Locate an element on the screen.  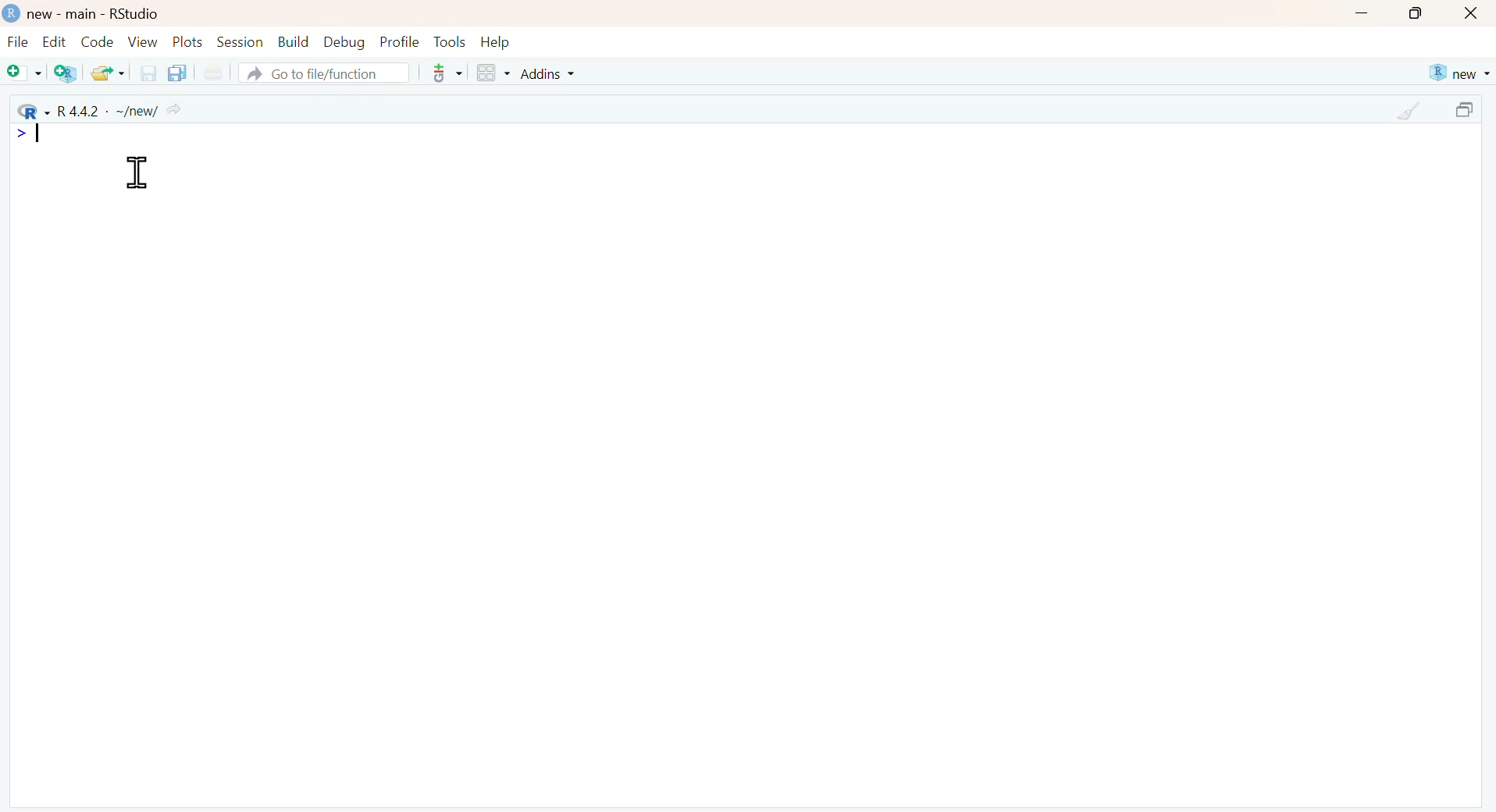
Help is located at coordinates (496, 42).